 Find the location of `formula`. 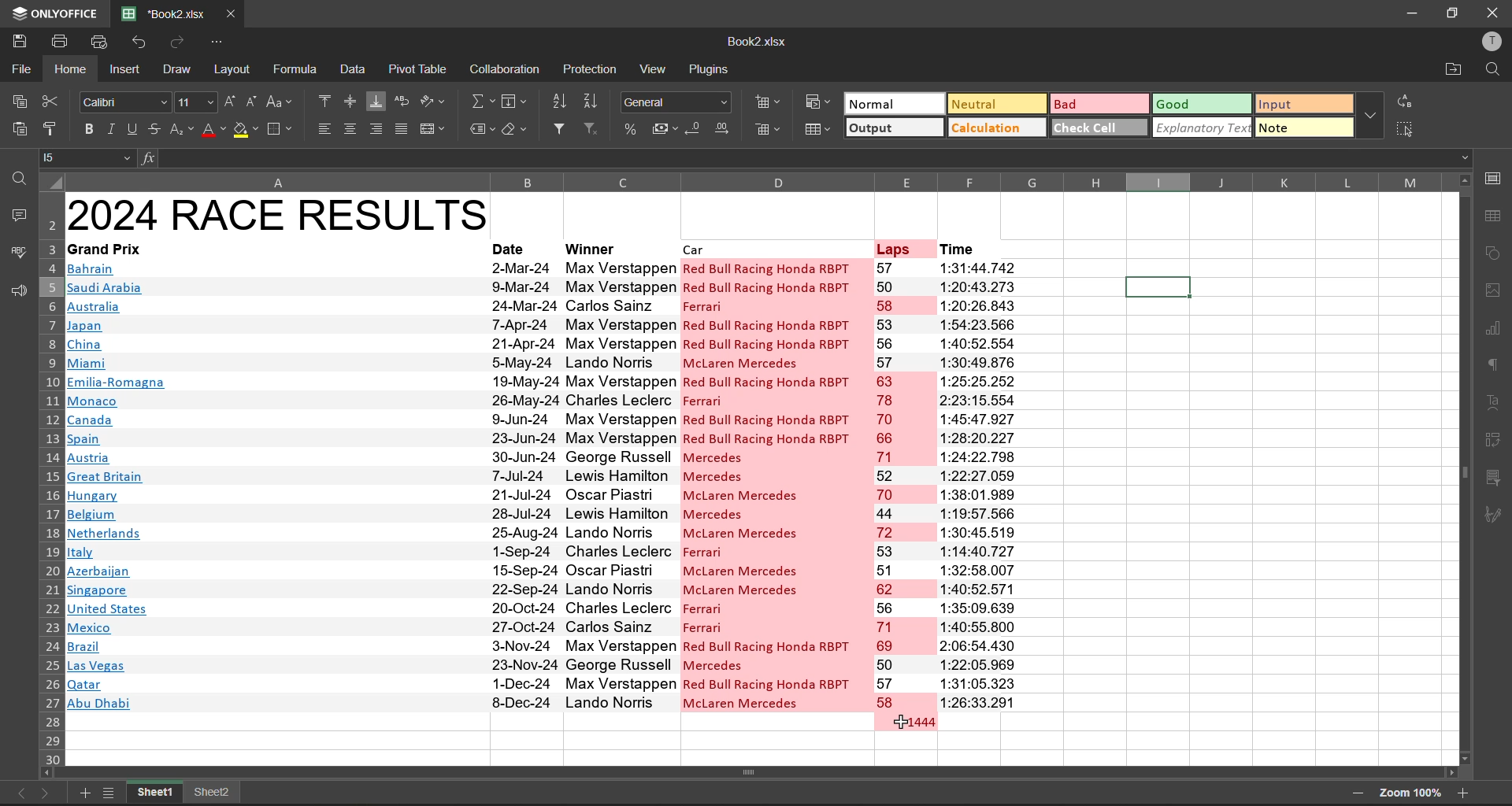

formula is located at coordinates (294, 69).